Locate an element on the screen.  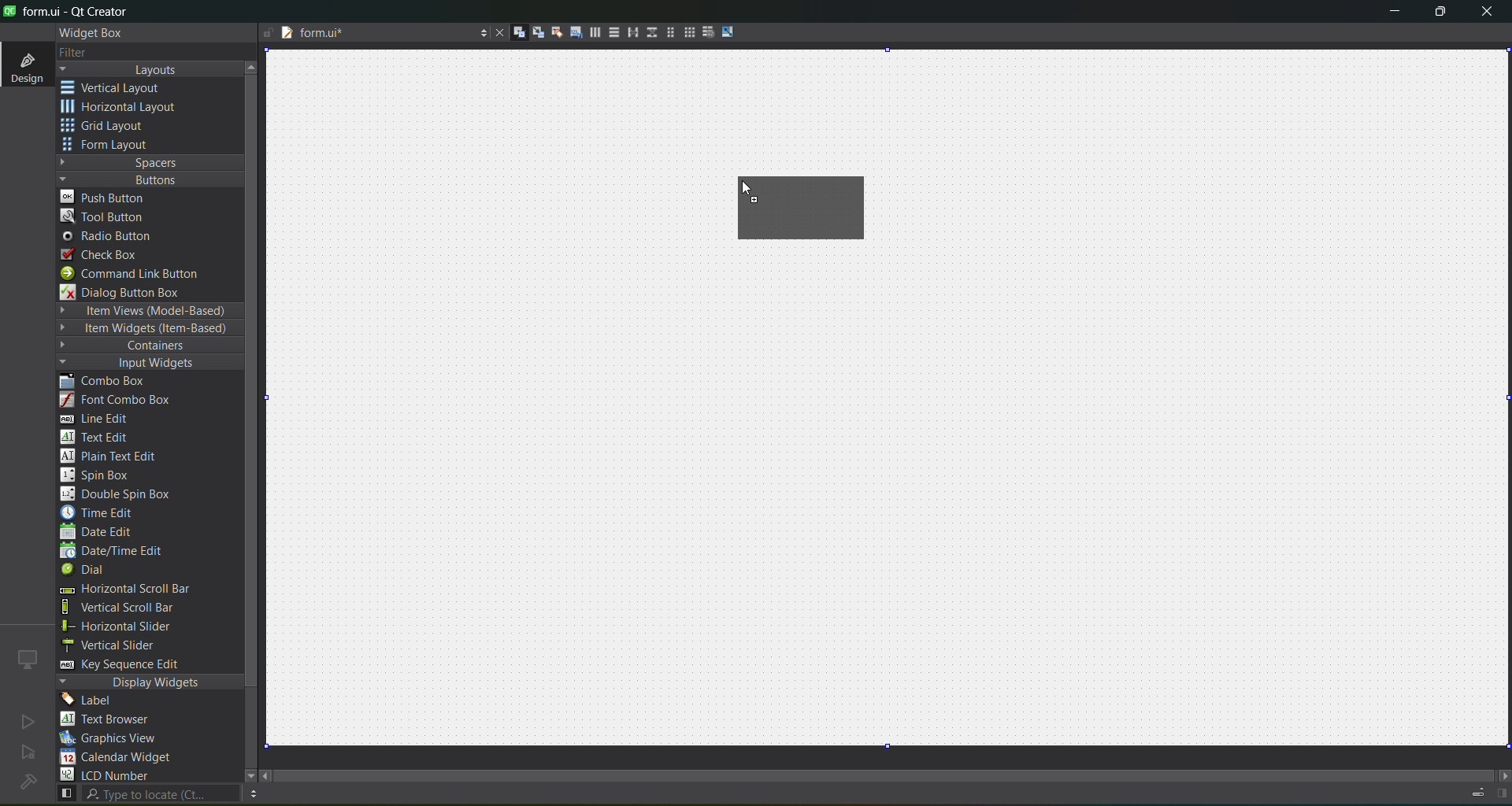
close is located at coordinates (1487, 13).